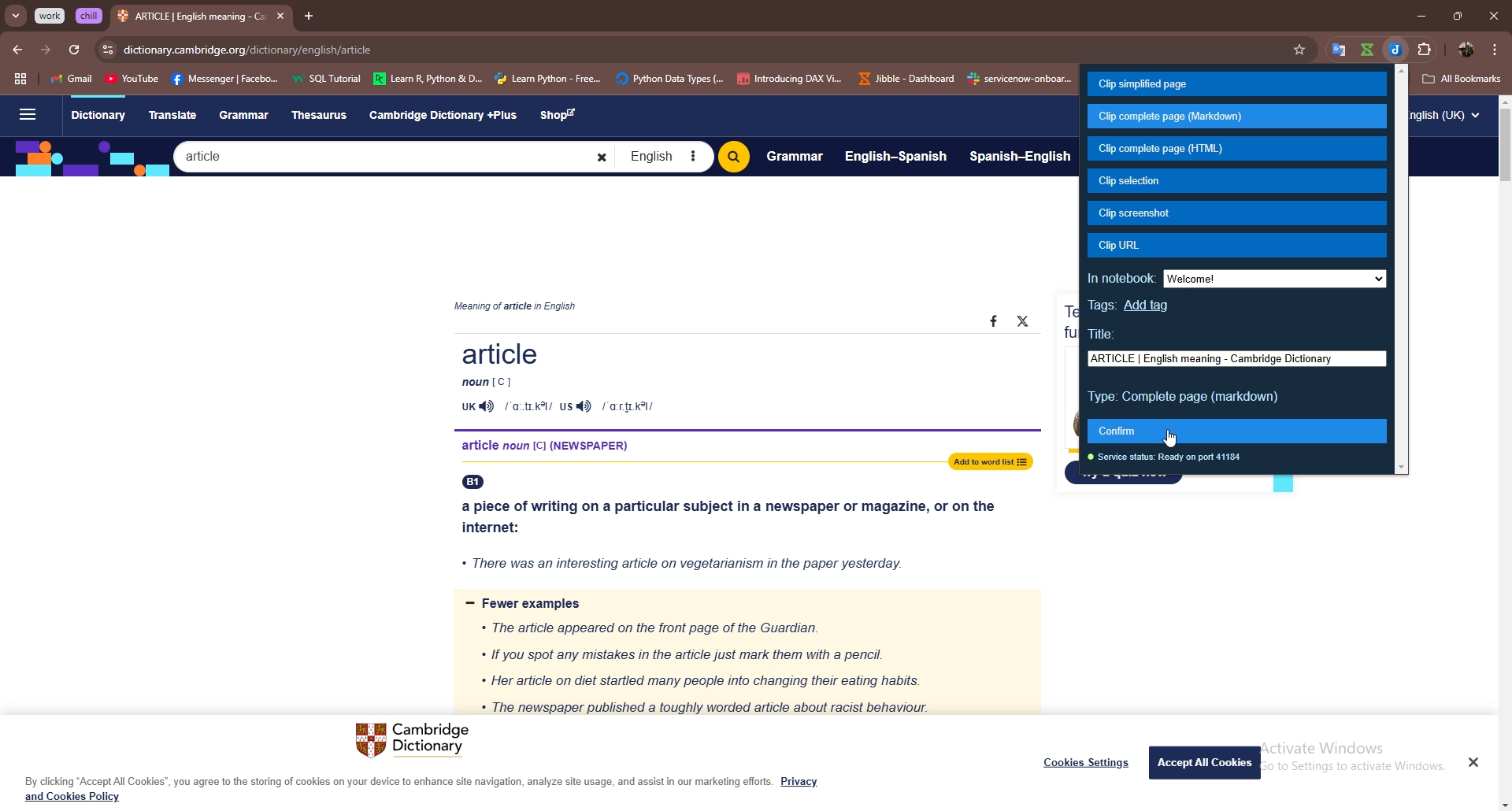  I want to click on grouped tab, so click(51, 16).